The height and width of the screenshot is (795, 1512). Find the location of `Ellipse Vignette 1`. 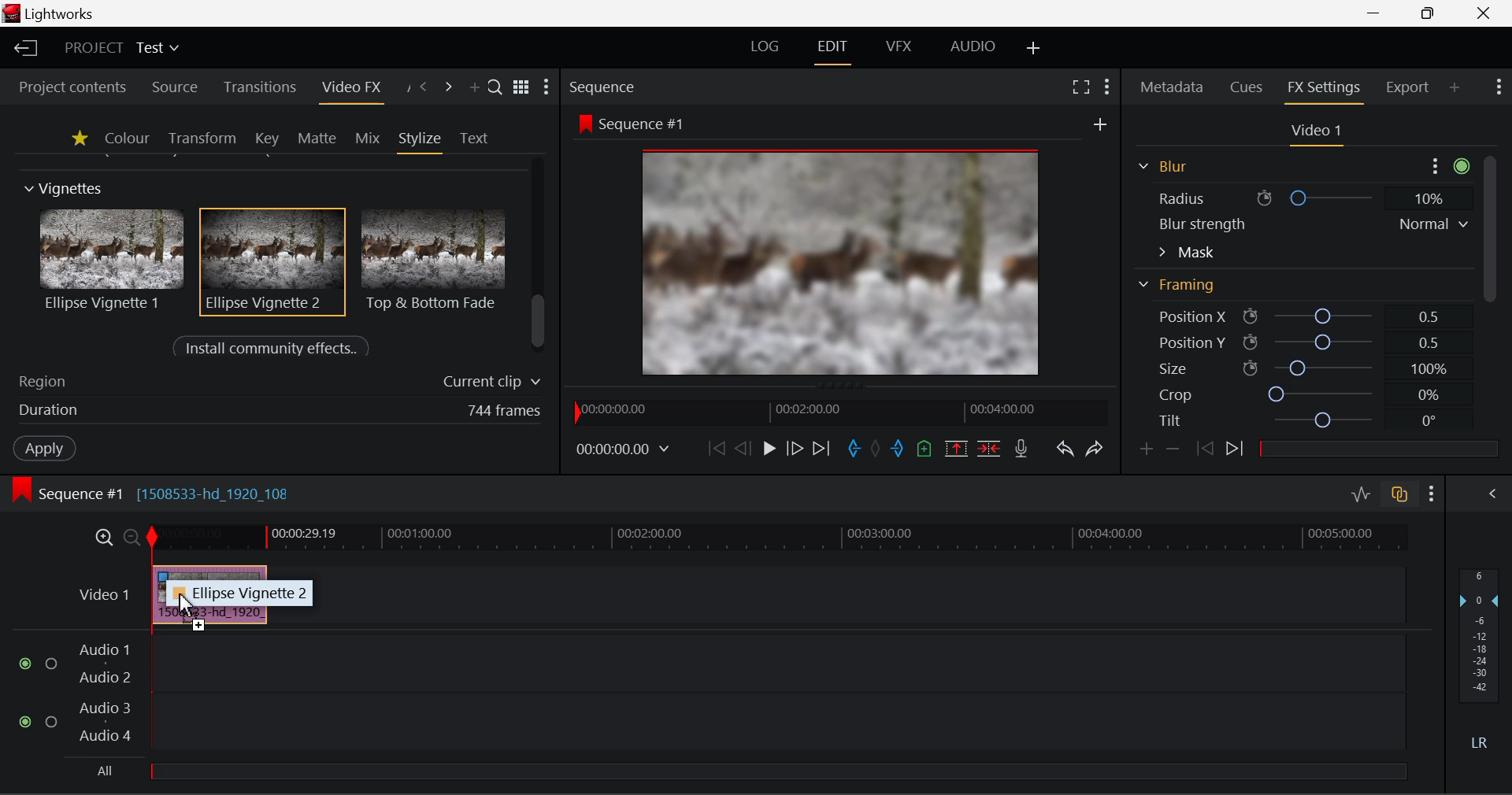

Ellipse Vignette 1 is located at coordinates (113, 260).